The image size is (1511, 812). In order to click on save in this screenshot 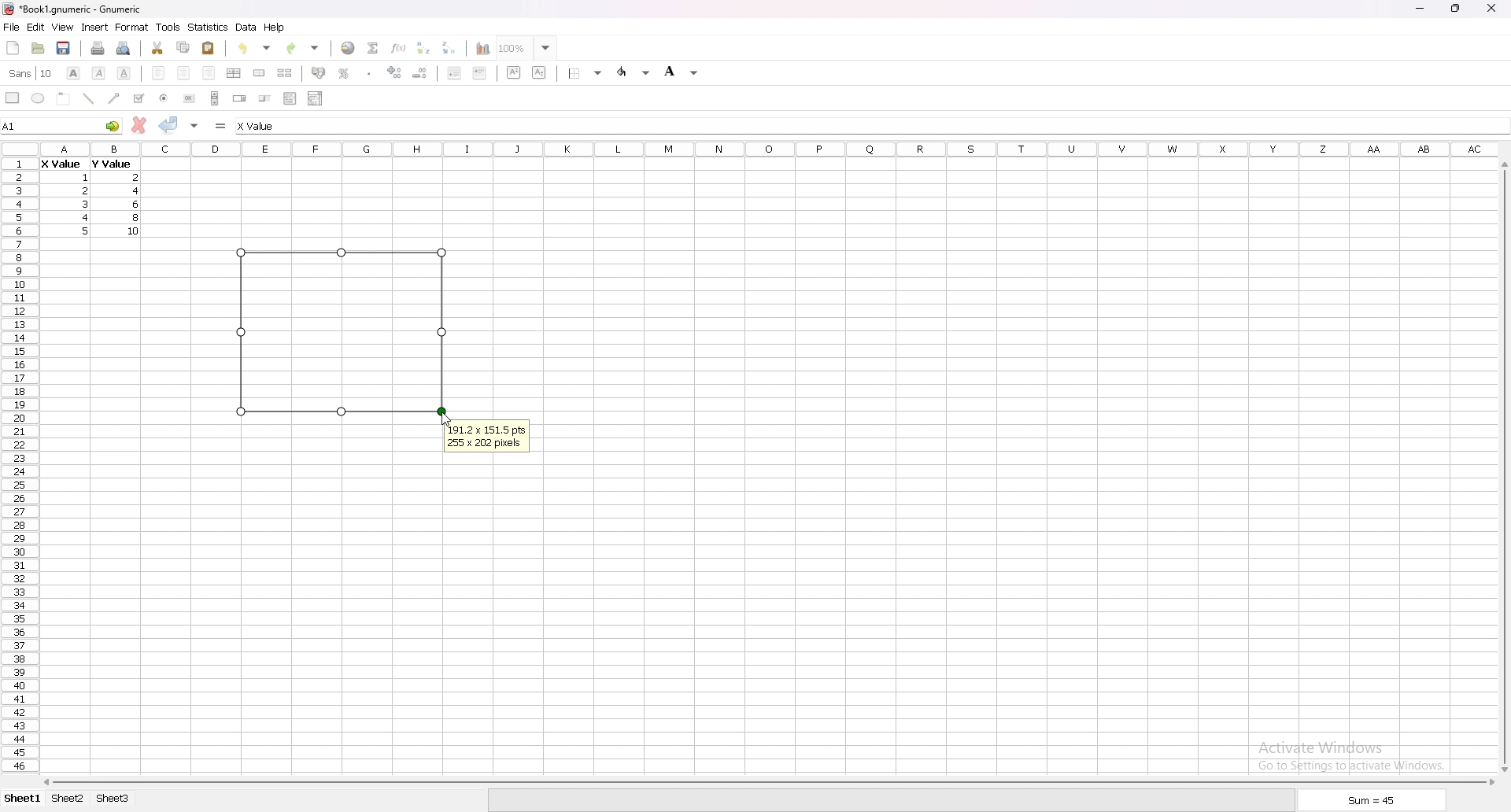, I will do `click(63, 48)`.